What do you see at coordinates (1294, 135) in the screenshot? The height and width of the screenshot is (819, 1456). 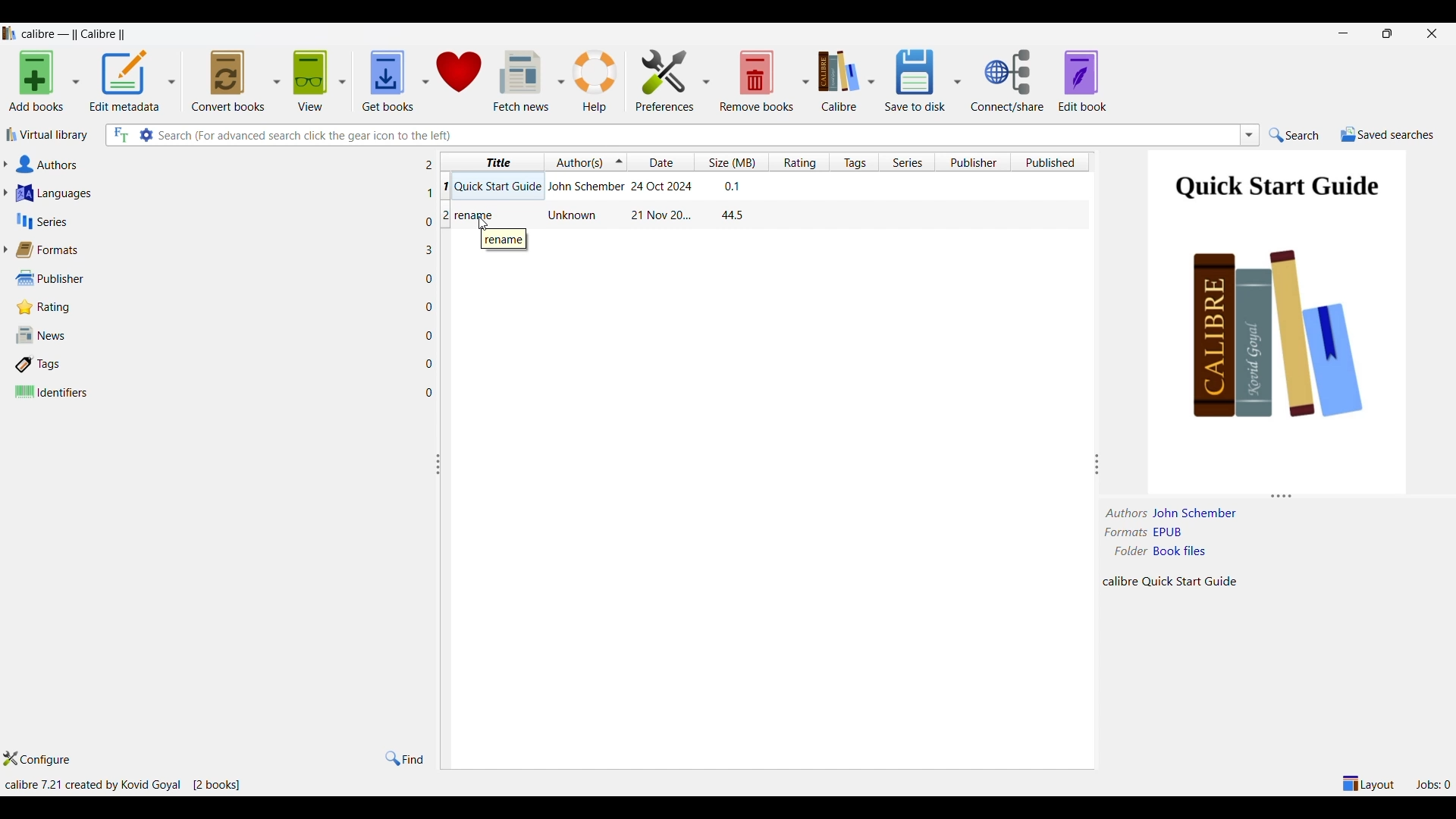 I see `Search` at bounding box center [1294, 135].